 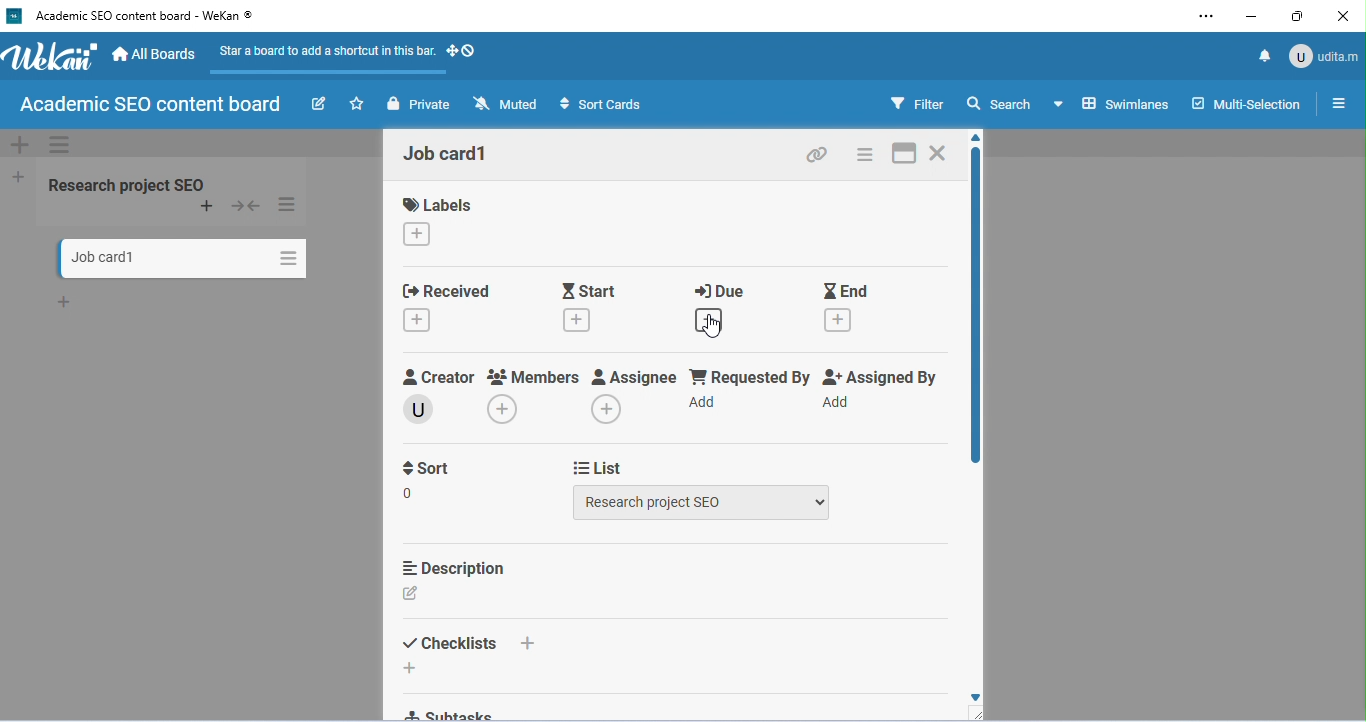 I want to click on wekan logo, so click(x=14, y=16).